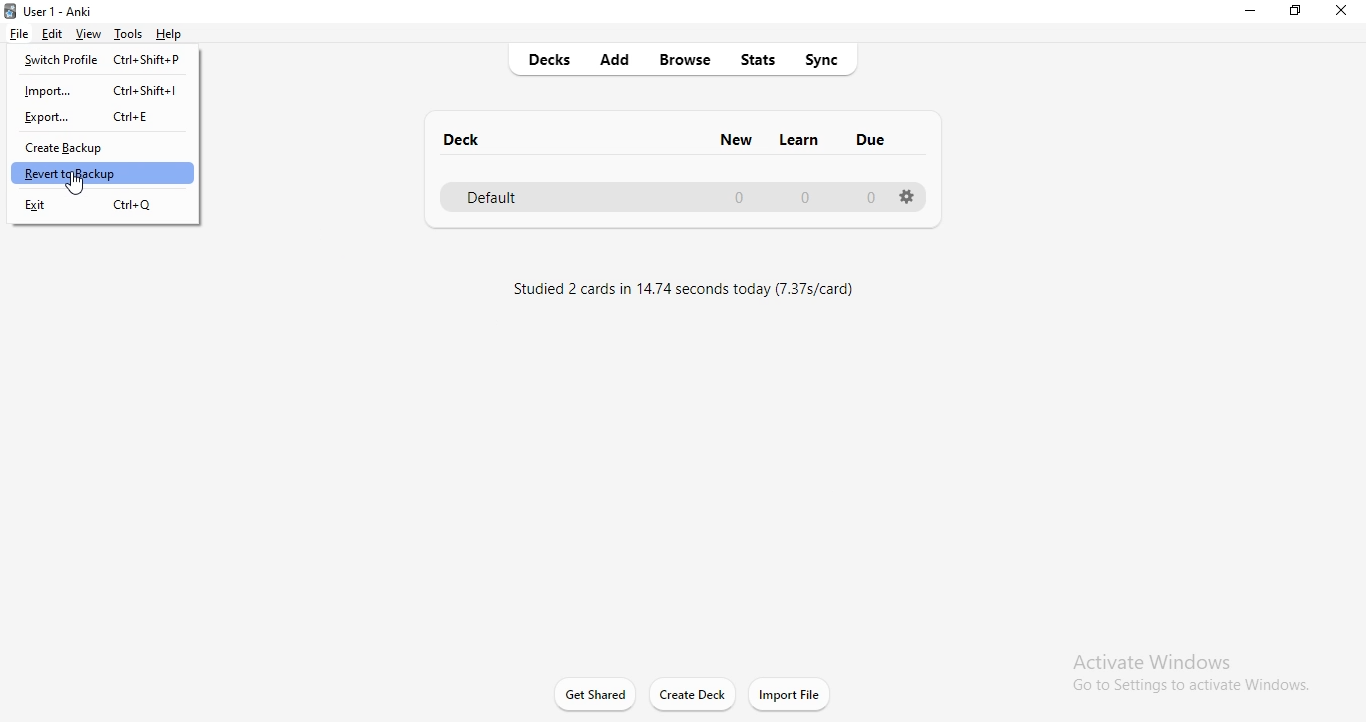 This screenshot has width=1366, height=722. Describe the element at coordinates (556, 60) in the screenshot. I see `decks` at that location.